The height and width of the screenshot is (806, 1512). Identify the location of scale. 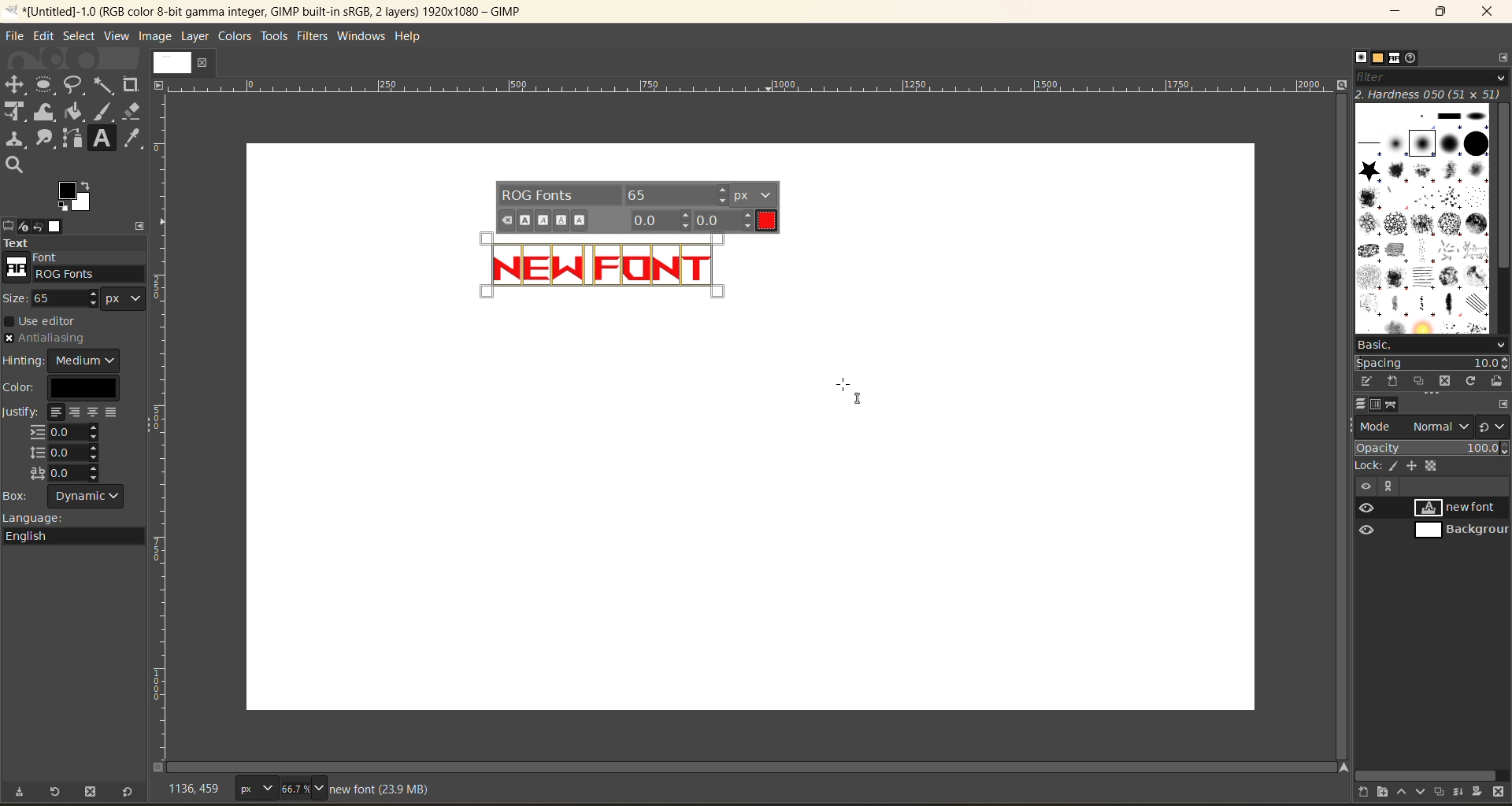
(748, 86).